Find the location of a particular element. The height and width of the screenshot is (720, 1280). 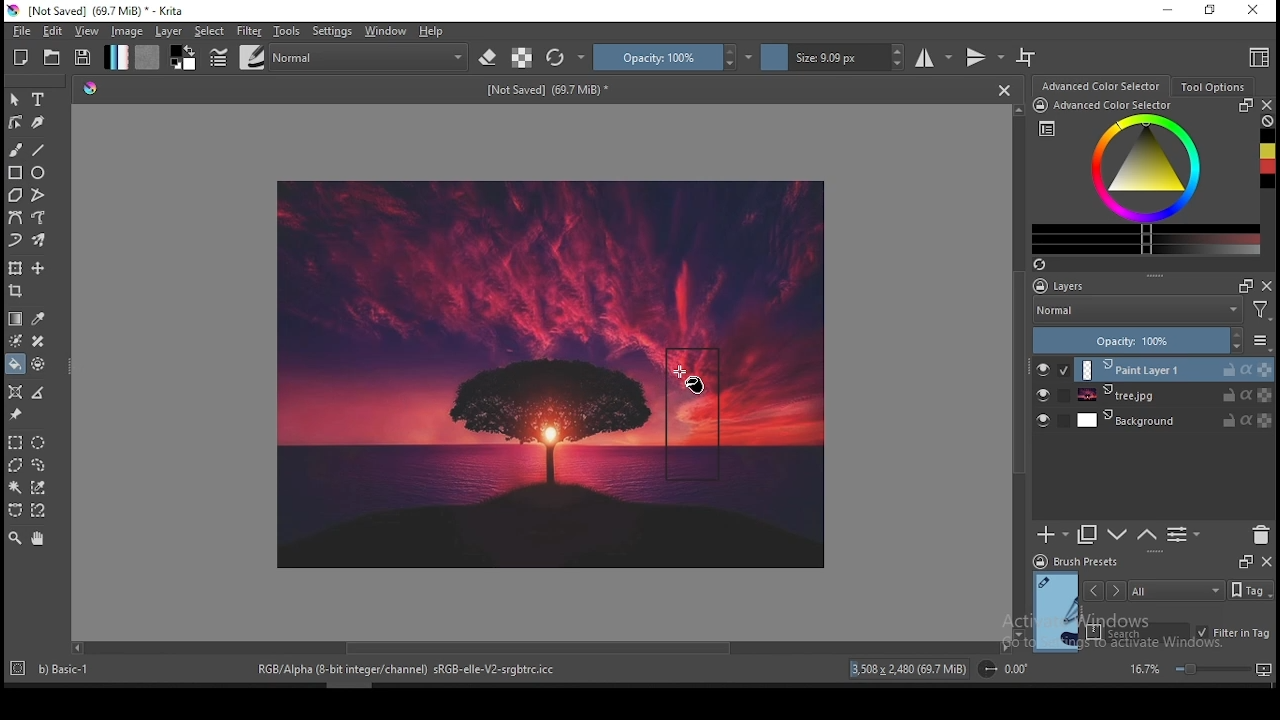

minimize is located at coordinates (1169, 12).